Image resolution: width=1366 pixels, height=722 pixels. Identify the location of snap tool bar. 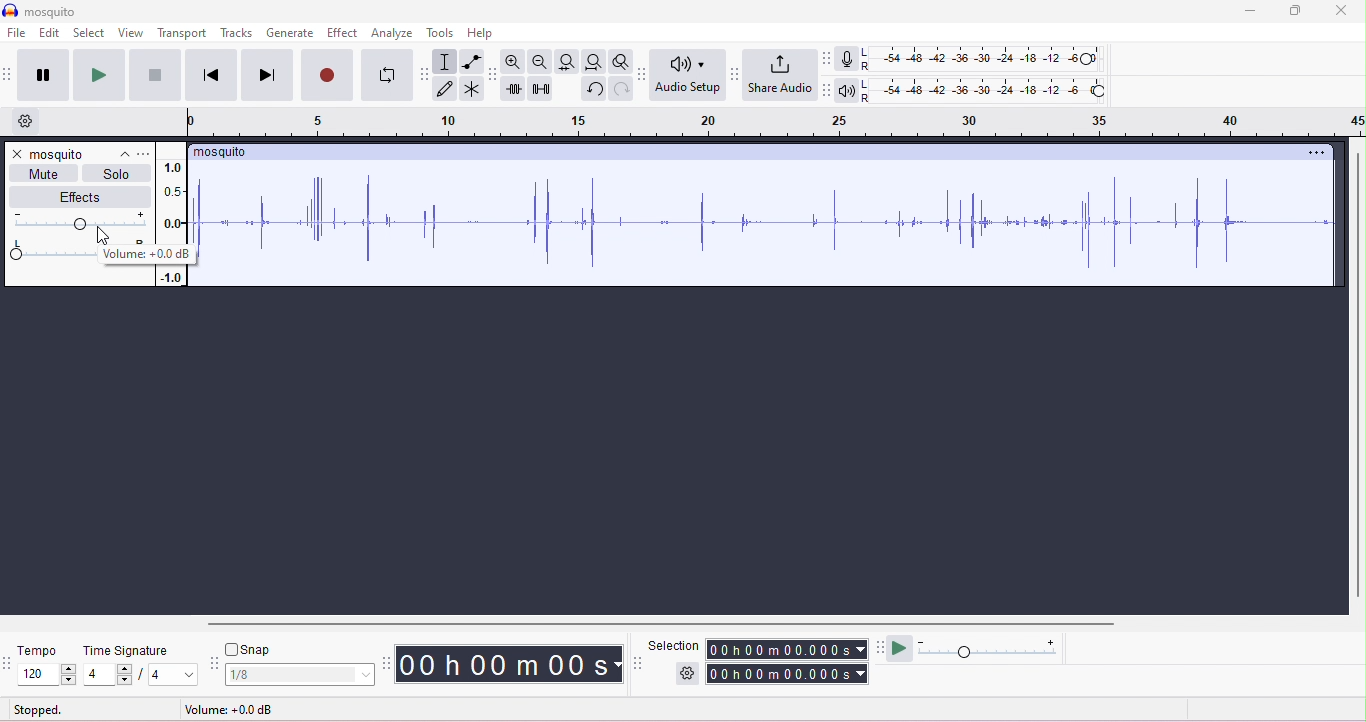
(215, 663).